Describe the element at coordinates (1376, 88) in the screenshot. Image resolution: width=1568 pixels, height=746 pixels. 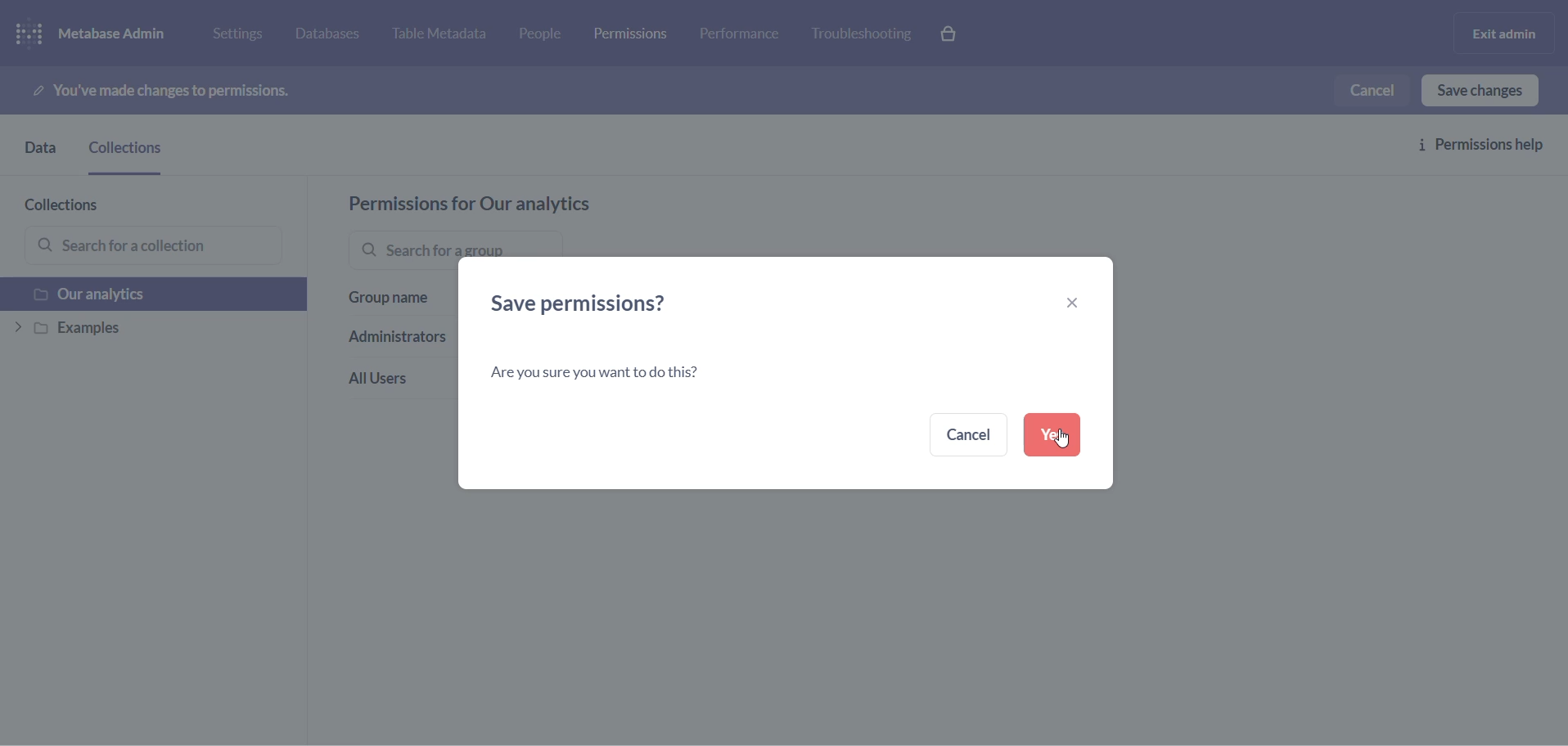
I see `cancel` at that location.